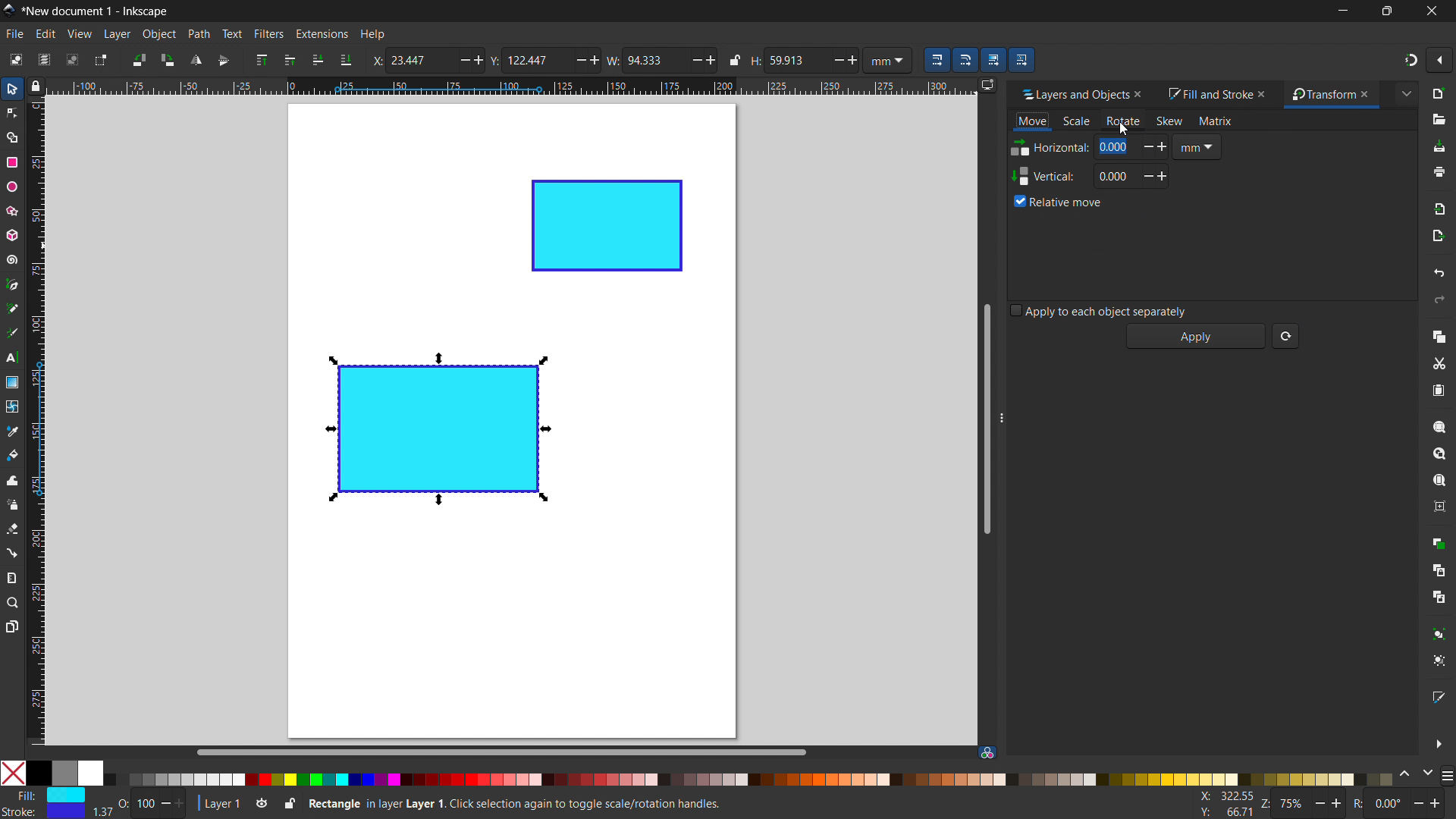 This screenshot has height=819, width=1456. What do you see at coordinates (12, 359) in the screenshot?
I see `text tool` at bounding box center [12, 359].